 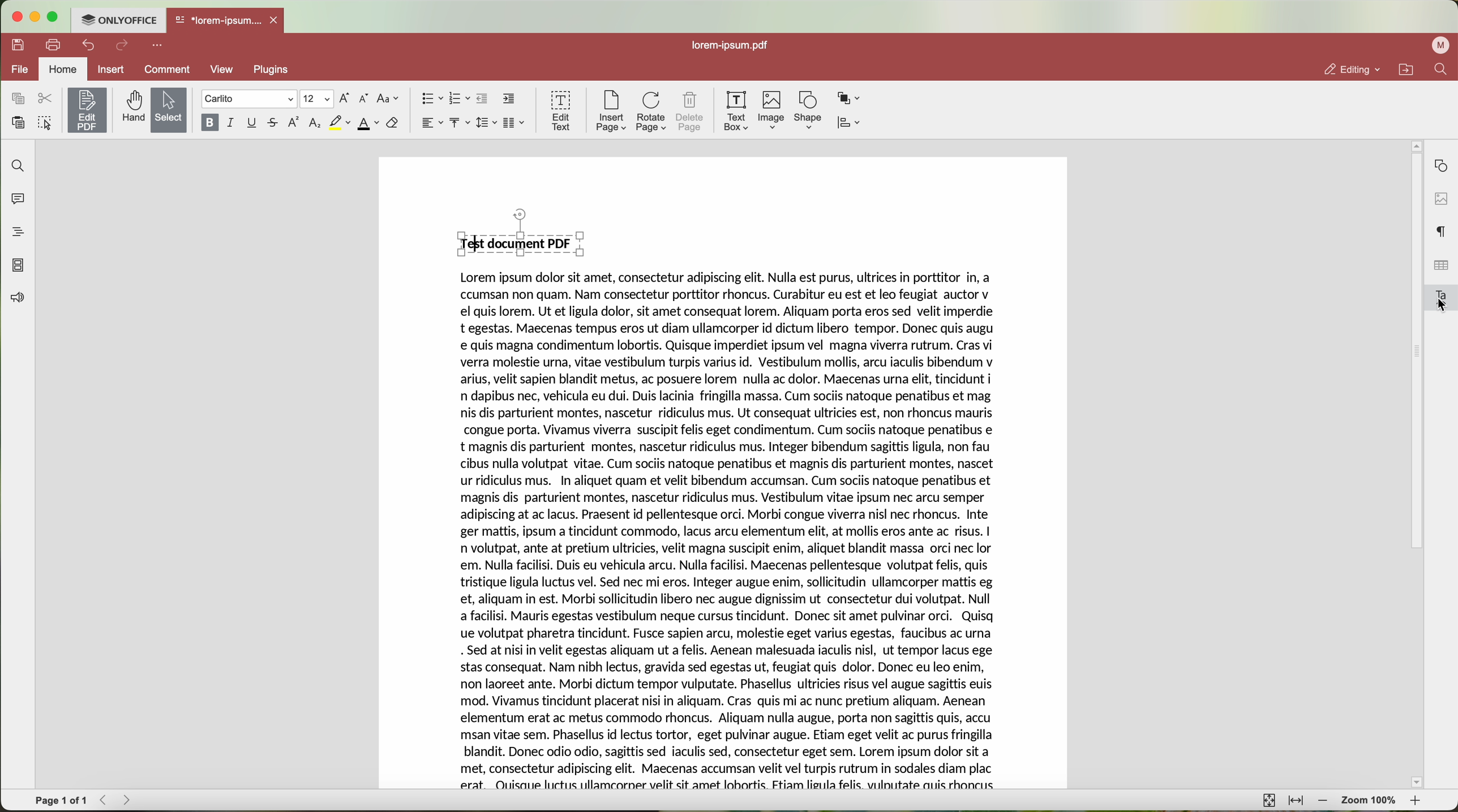 What do you see at coordinates (516, 242) in the screenshot?
I see `Test document PDF` at bounding box center [516, 242].